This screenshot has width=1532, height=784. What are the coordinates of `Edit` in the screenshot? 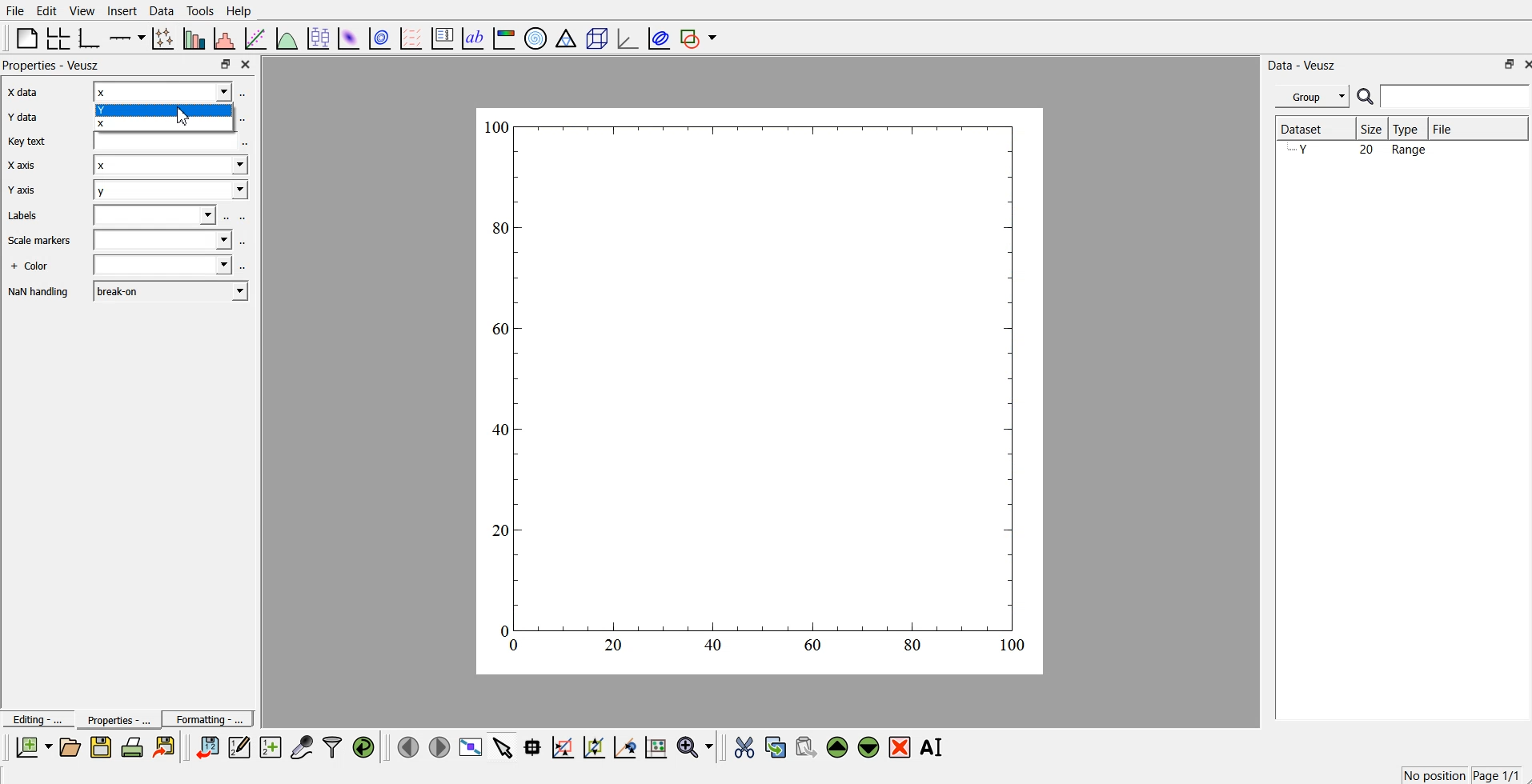 It's located at (47, 10).